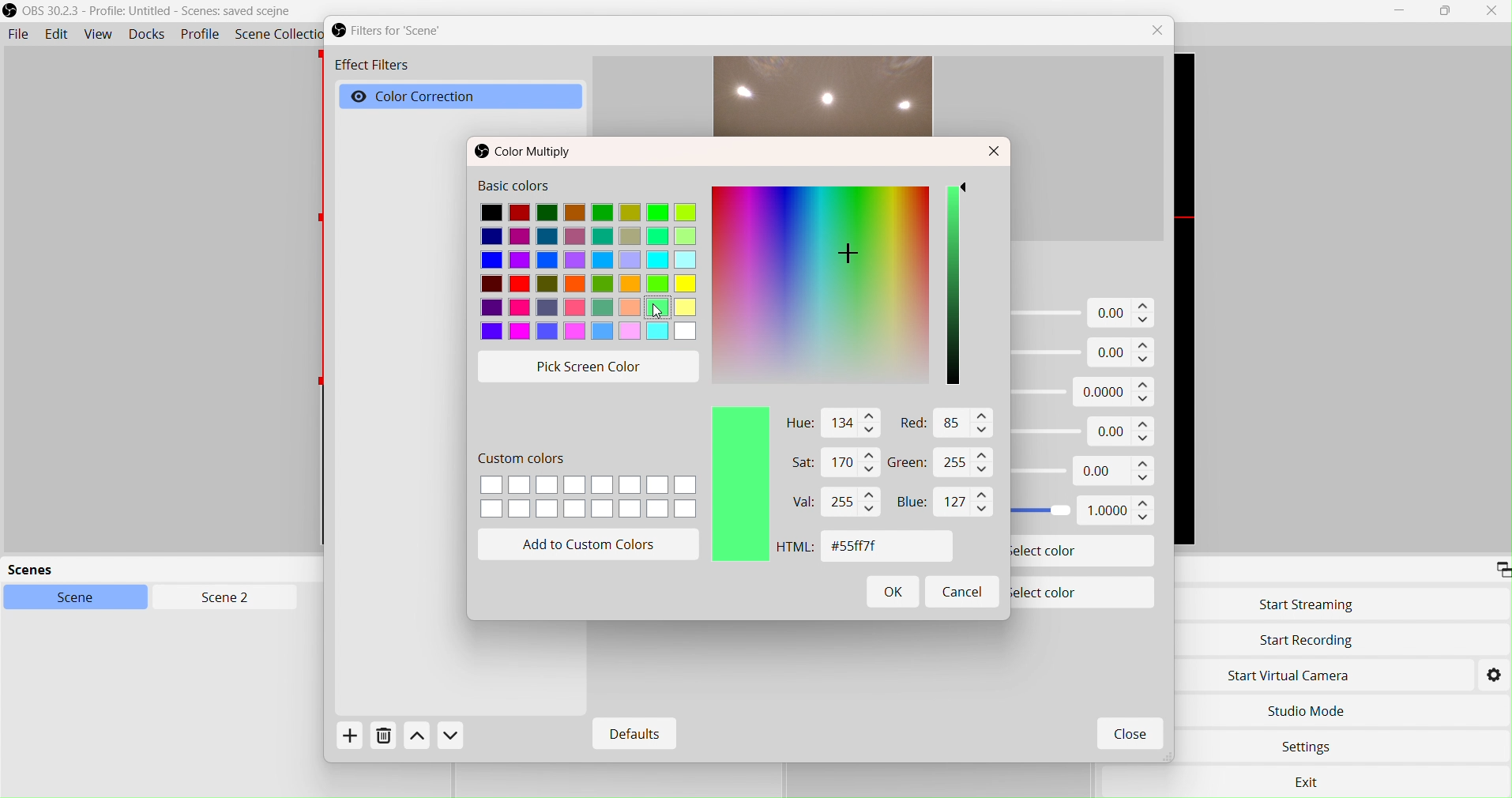 The image size is (1512, 798). I want to click on Red: 85, so click(942, 425).